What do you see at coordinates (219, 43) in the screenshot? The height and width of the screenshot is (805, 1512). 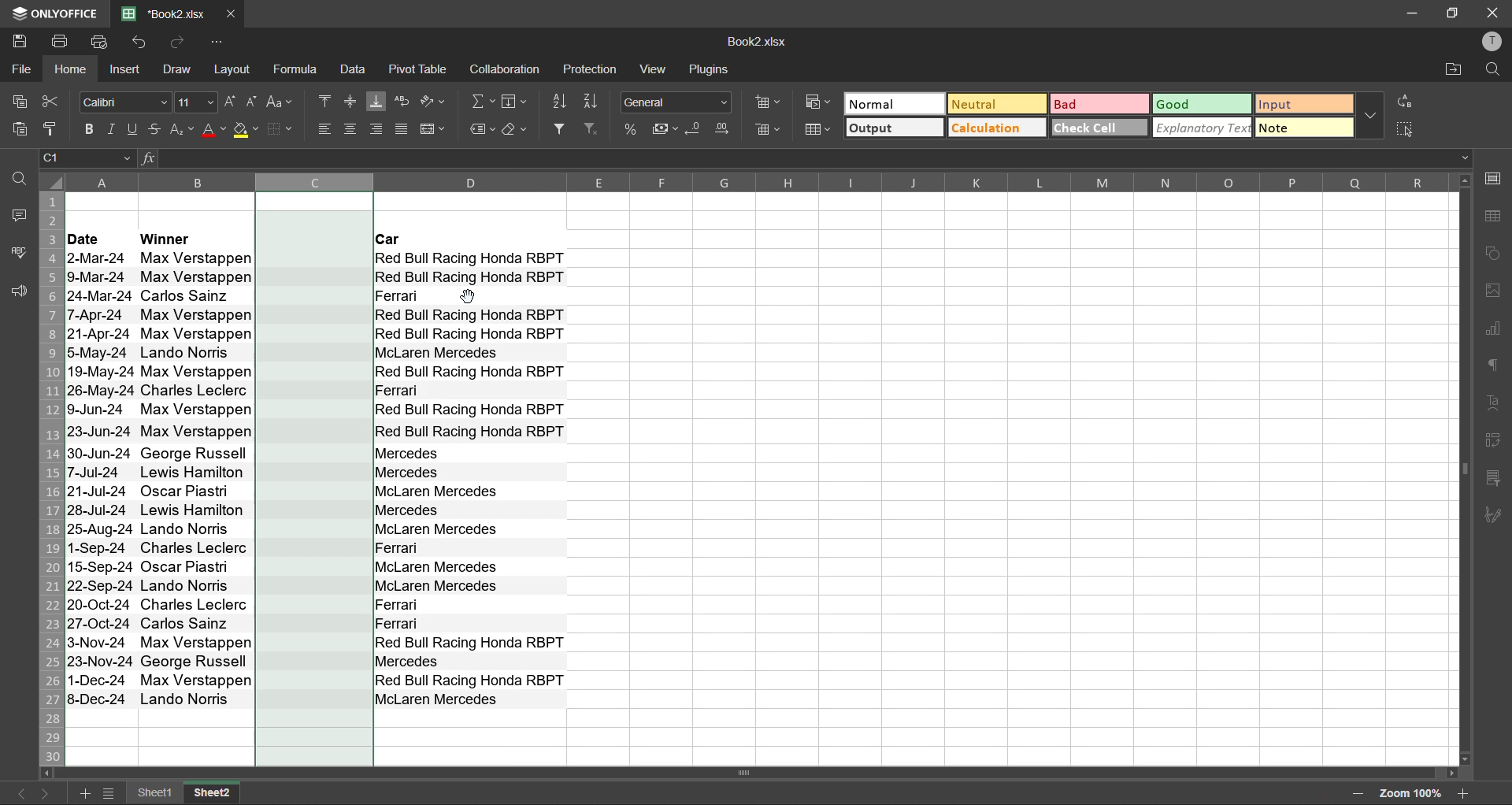 I see `customize quick access toolbar` at bounding box center [219, 43].